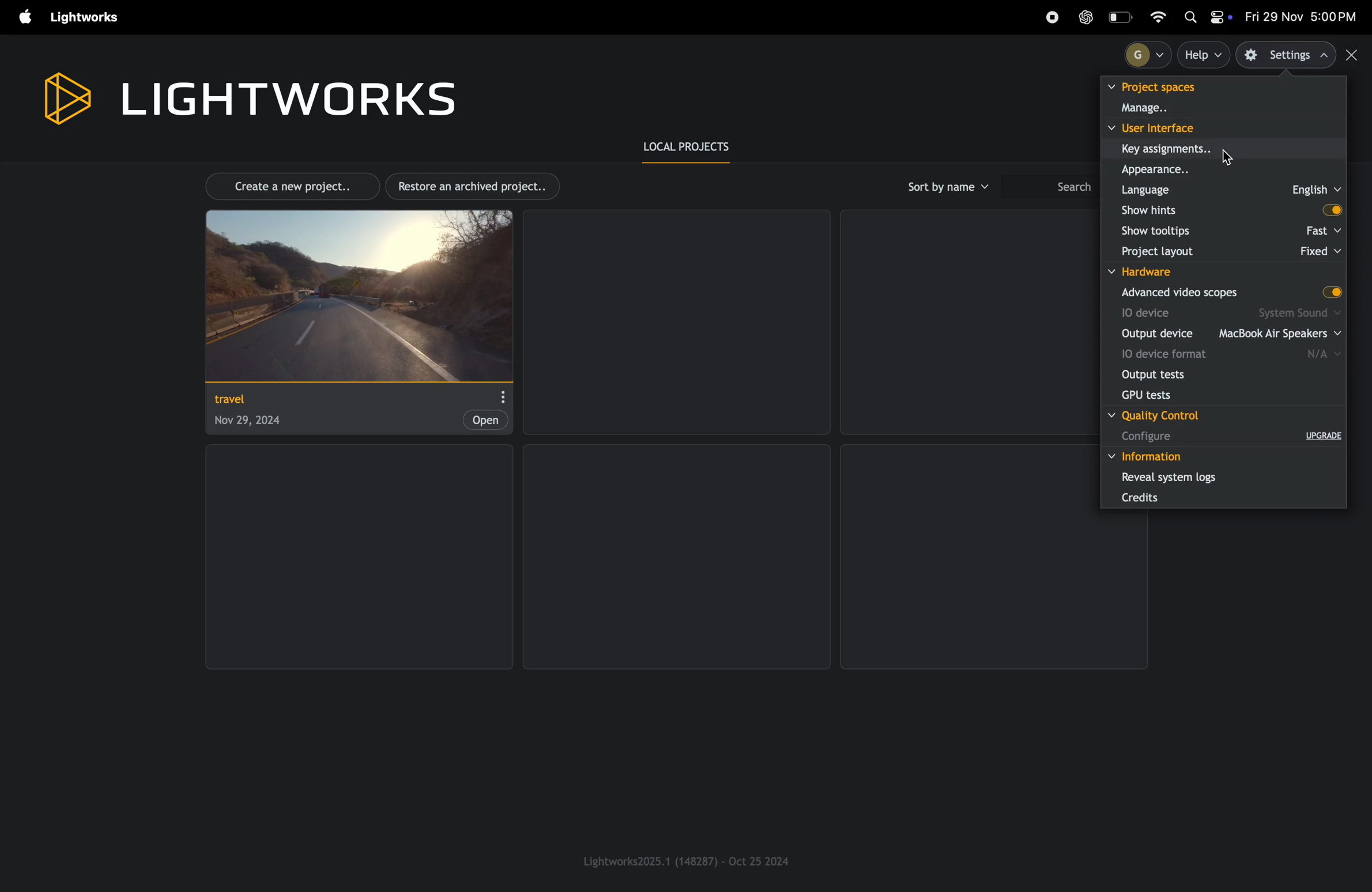 The height and width of the screenshot is (892, 1372). I want to click on battery, so click(1122, 17).